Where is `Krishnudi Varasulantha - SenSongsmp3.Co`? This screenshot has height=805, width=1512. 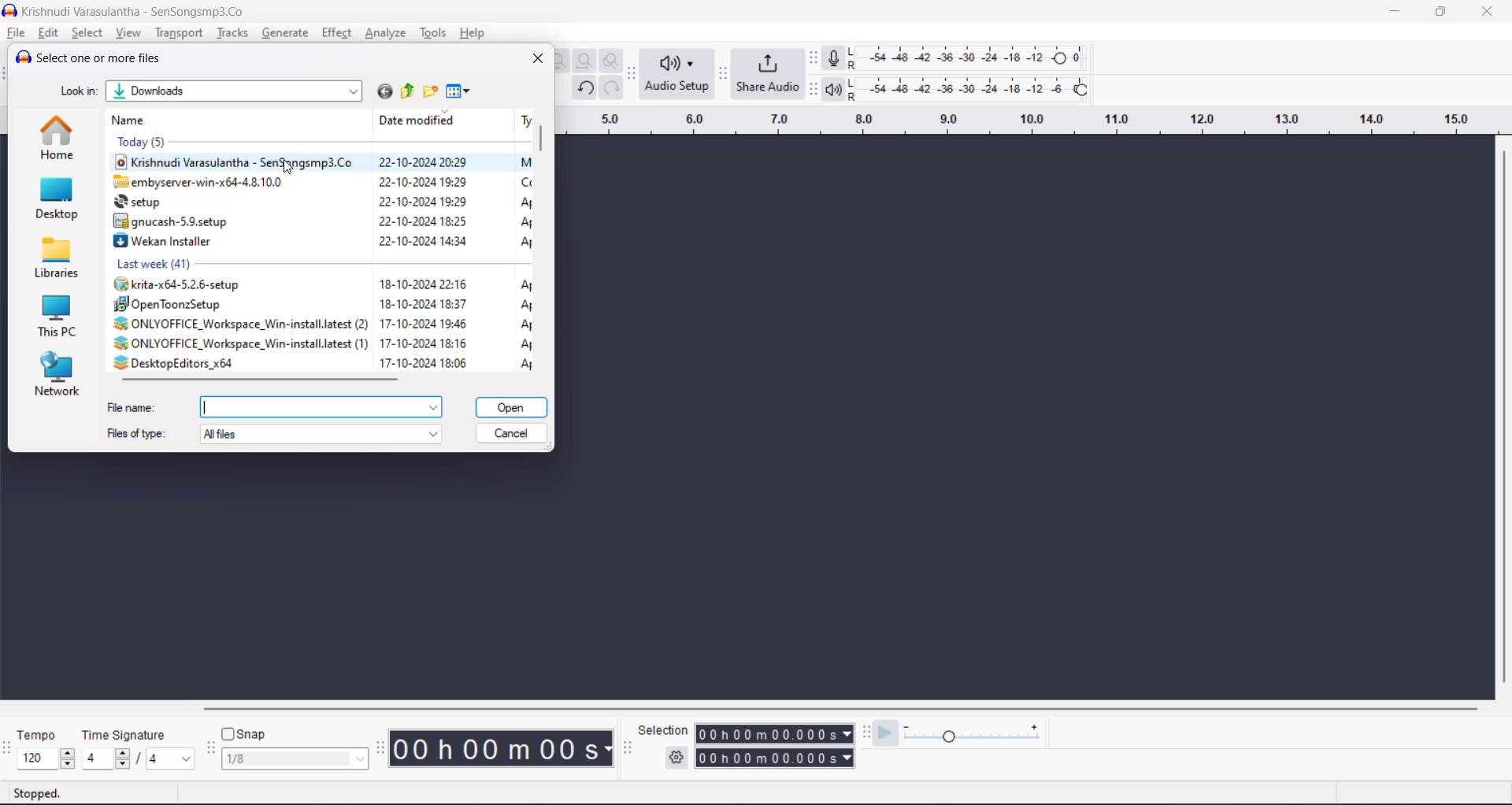
Krishnudi Varasulantha - SenSongsmp3.Co is located at coordinates (131, 12).